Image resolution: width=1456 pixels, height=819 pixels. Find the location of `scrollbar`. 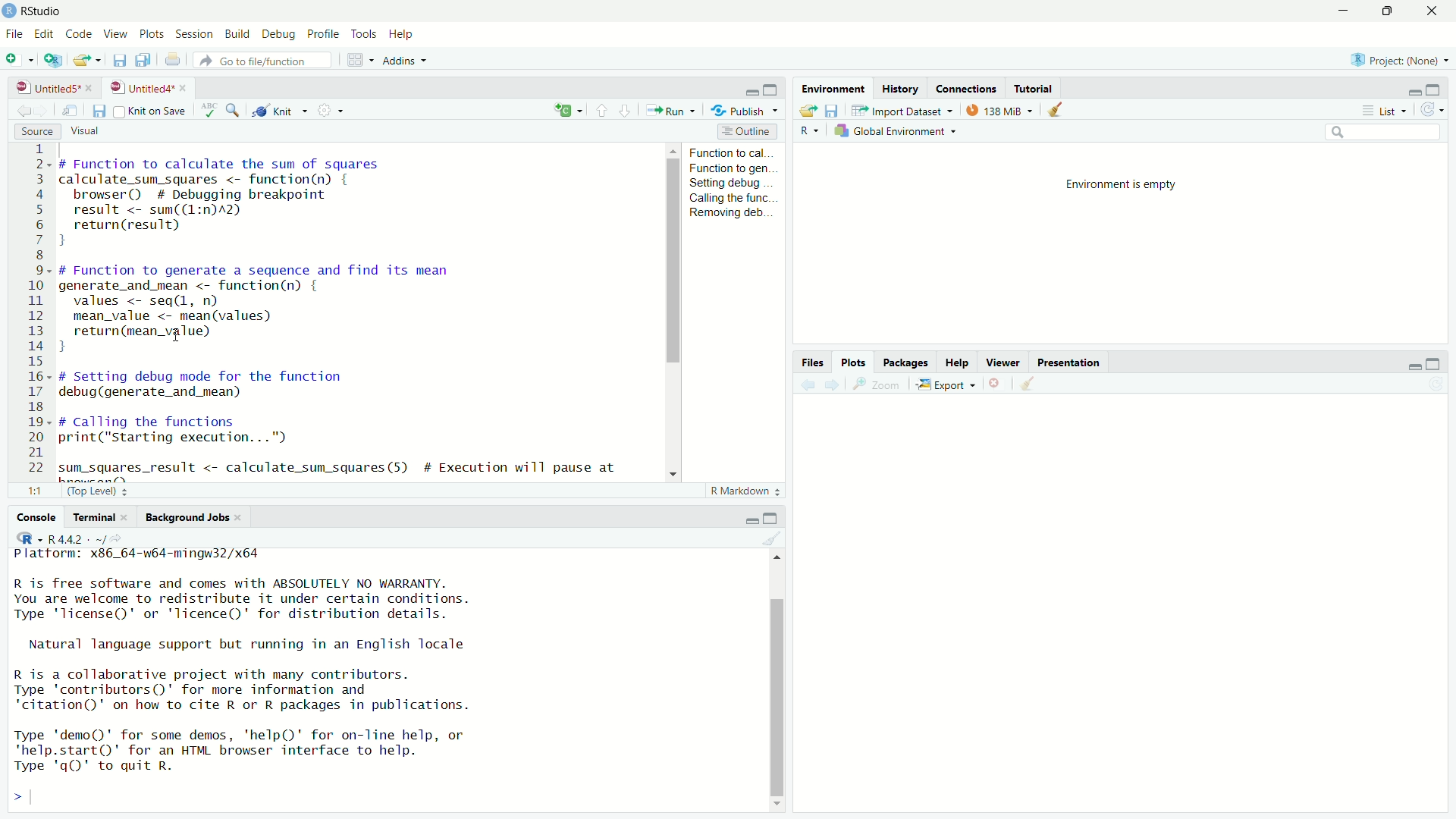

scrollbar is located at coordinates (780, 687).